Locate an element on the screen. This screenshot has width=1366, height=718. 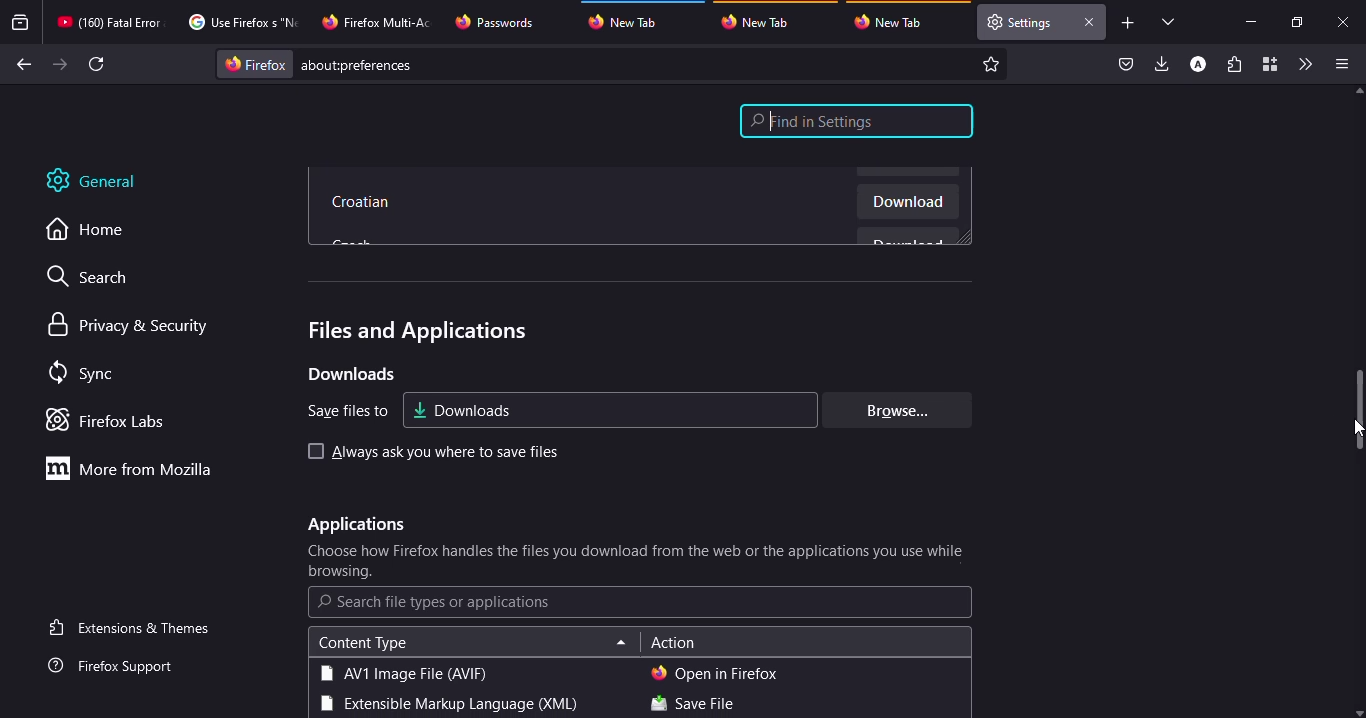
download is located at coordinates (908, 204).